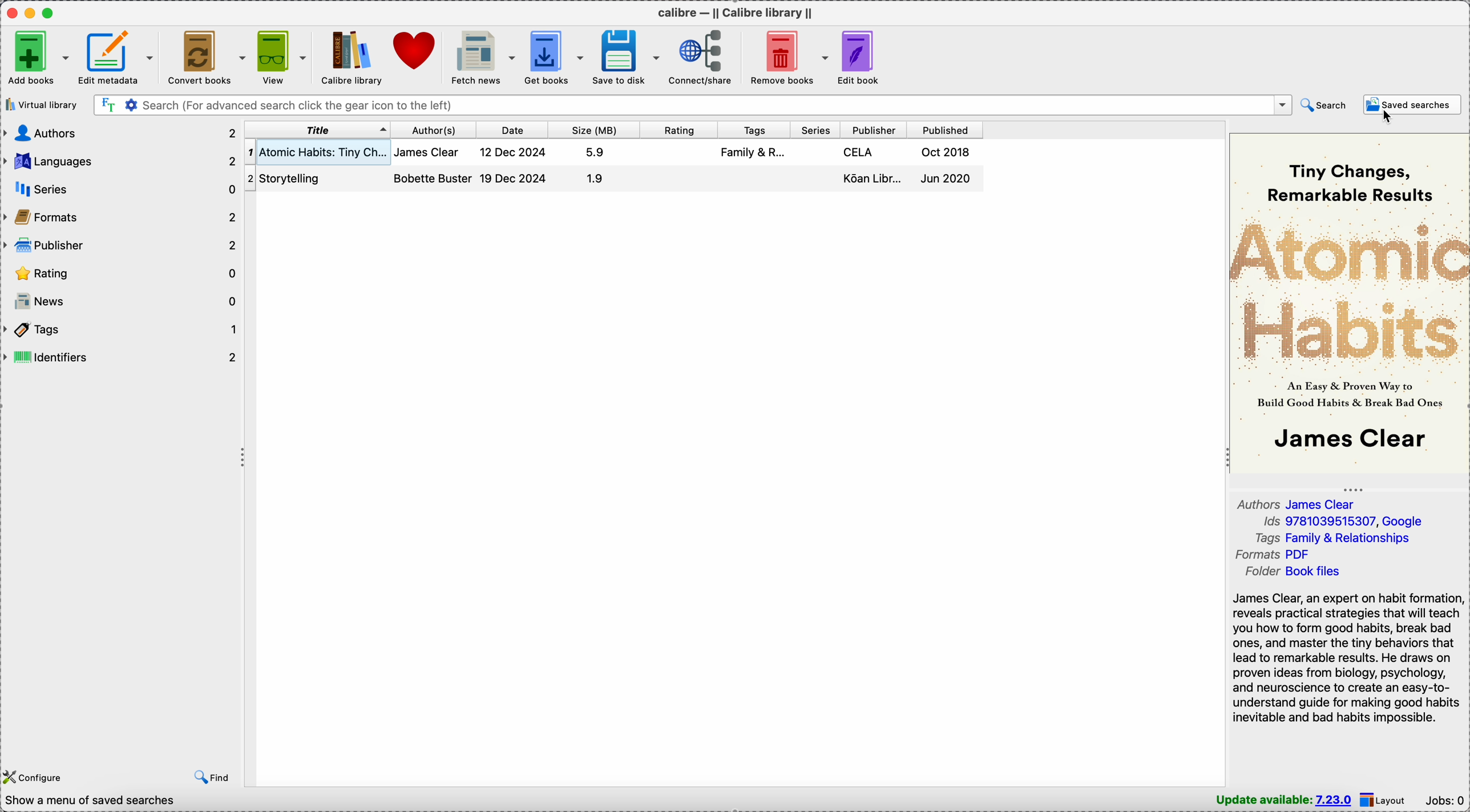 Image resolution: width=1470 pixels, height=812 pixels. What do you see at coordinates (1285, 800) in the screenshot?
I see `update available` at bounding box center [1285, 800].